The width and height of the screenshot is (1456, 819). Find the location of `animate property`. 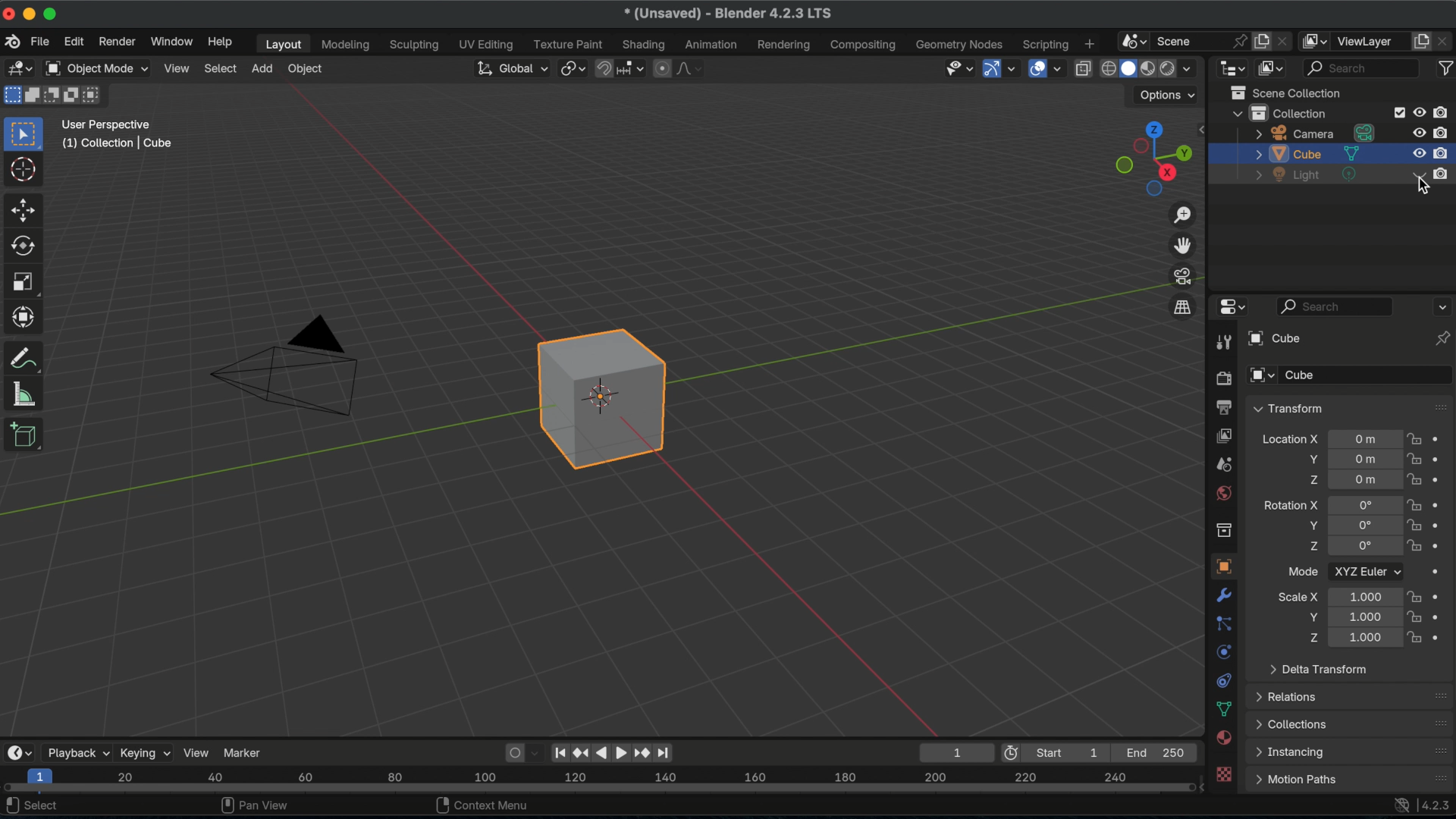

animate property is located at coordinates (1442, 523).